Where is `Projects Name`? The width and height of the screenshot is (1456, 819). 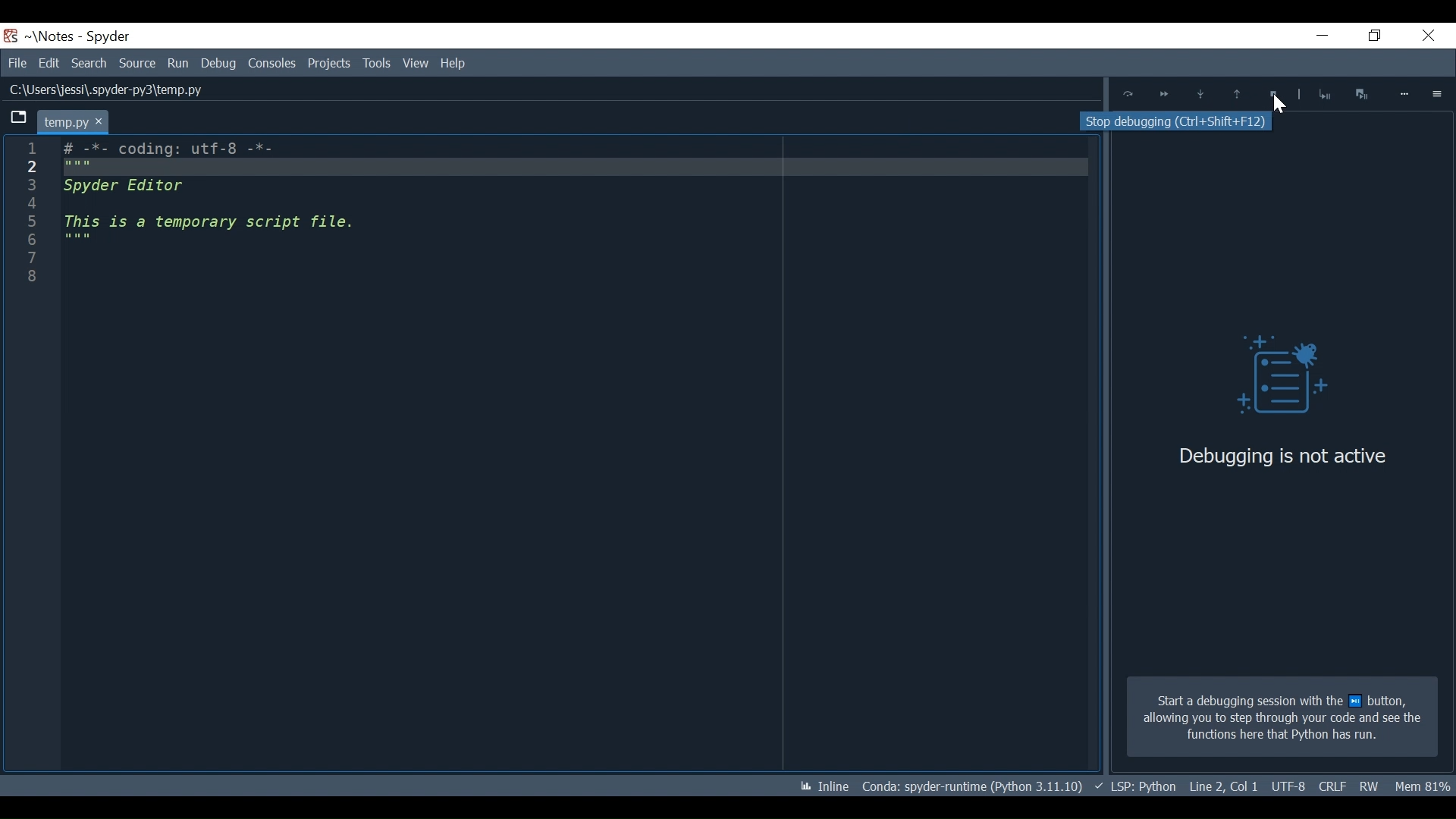 Projects Name is located at coordinates (55, 36).